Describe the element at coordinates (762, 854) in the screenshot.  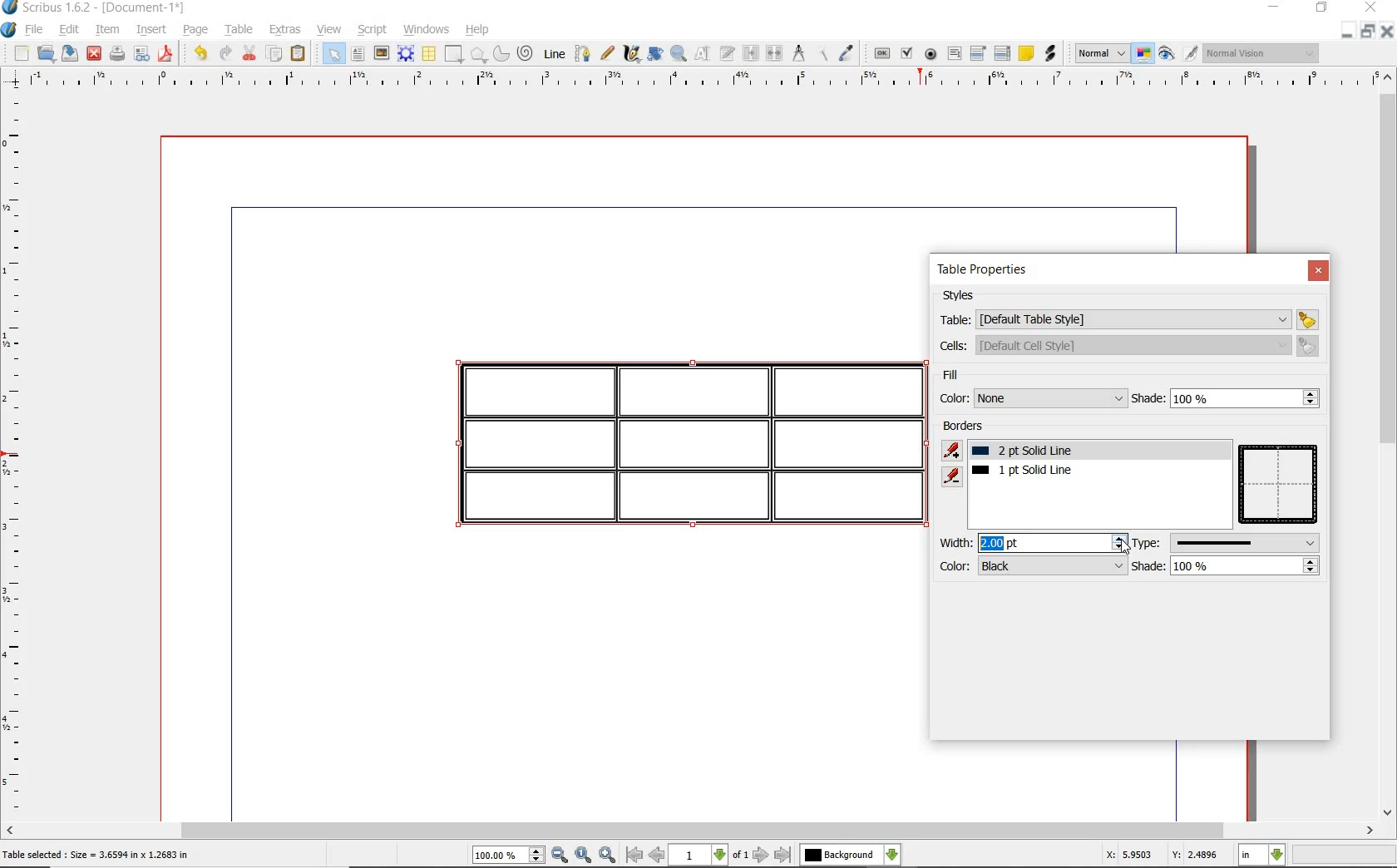
I see `go to next page` at that location.